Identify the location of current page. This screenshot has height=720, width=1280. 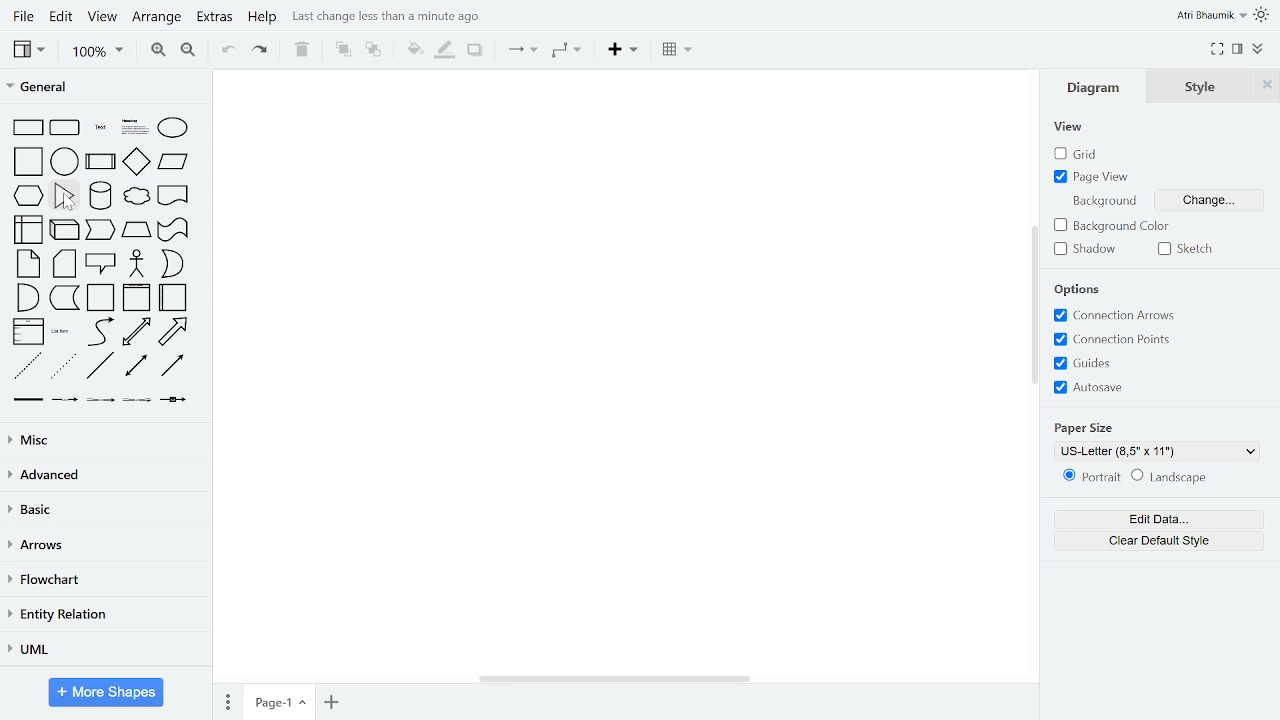
(279, 700).